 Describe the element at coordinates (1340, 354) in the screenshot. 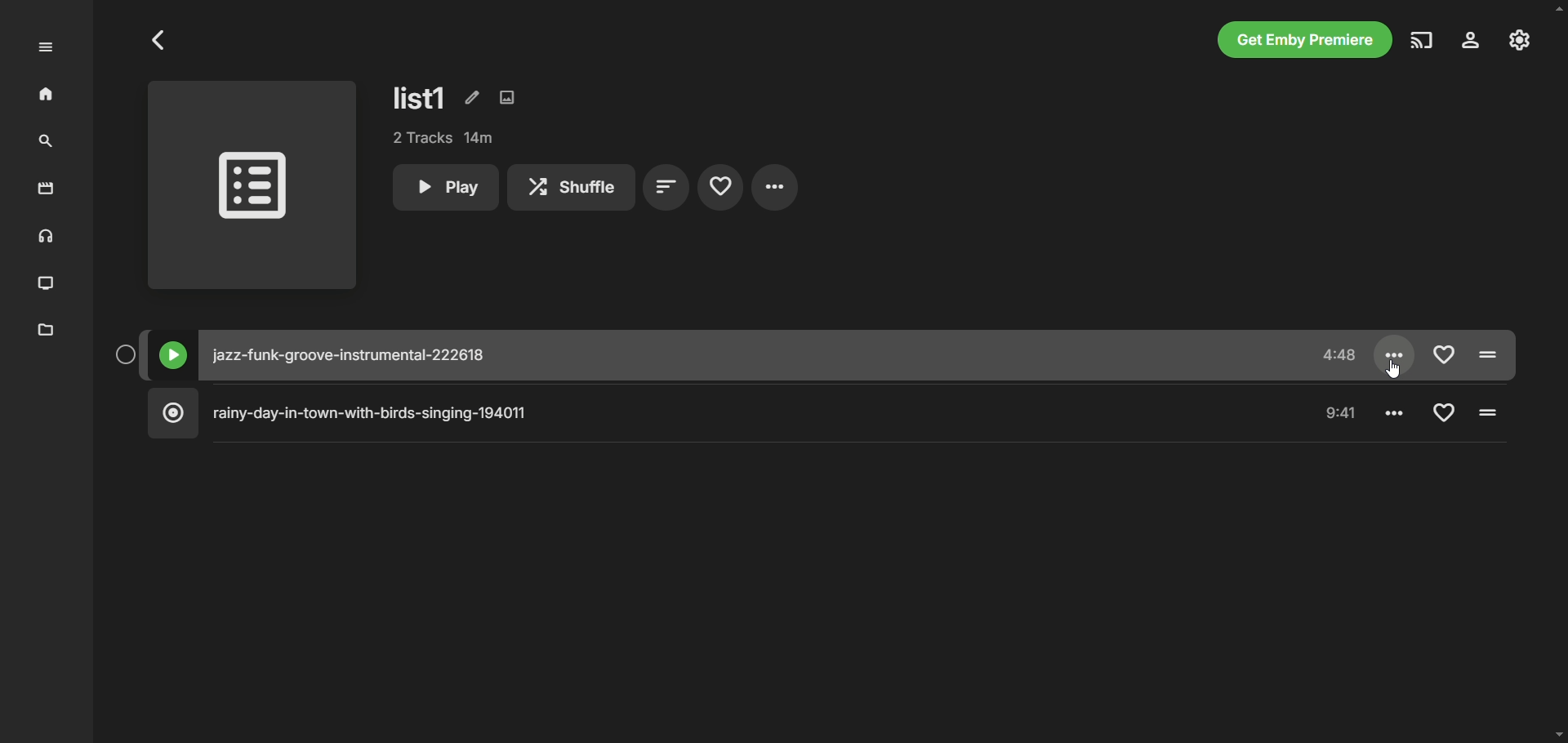

I see `time` at that location.